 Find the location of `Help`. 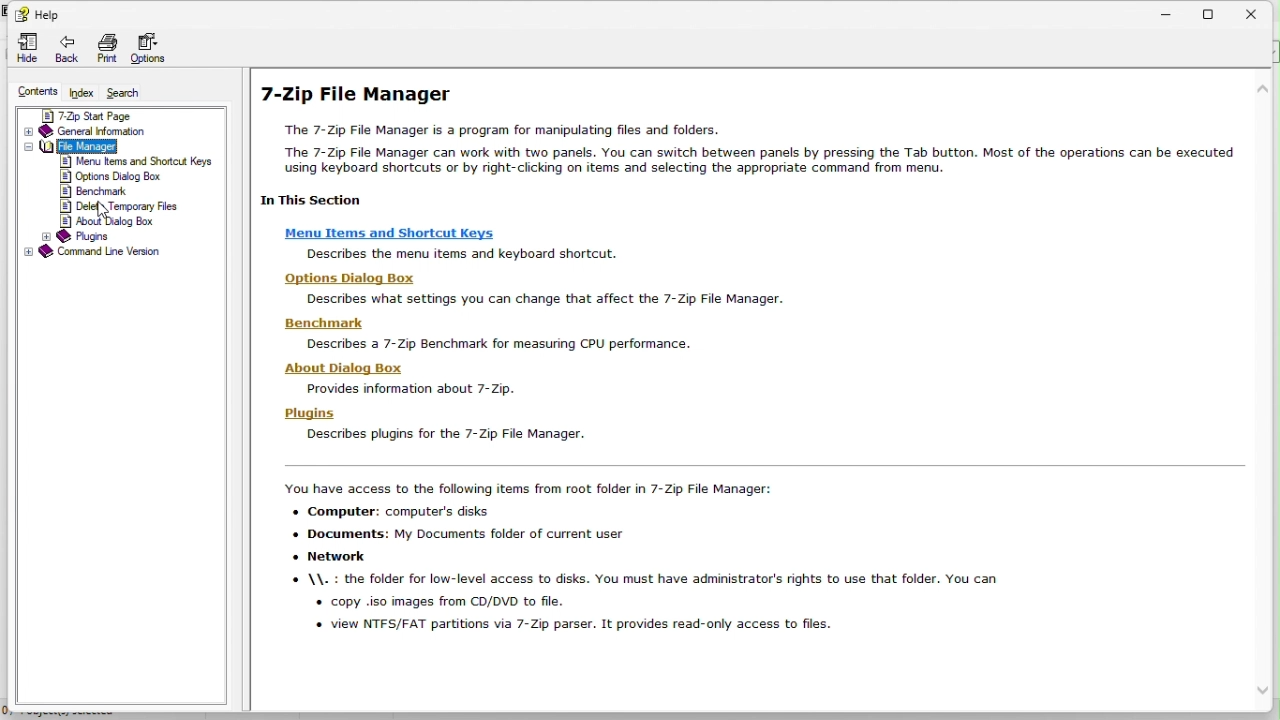

Help is located at coordinates (36, 12).